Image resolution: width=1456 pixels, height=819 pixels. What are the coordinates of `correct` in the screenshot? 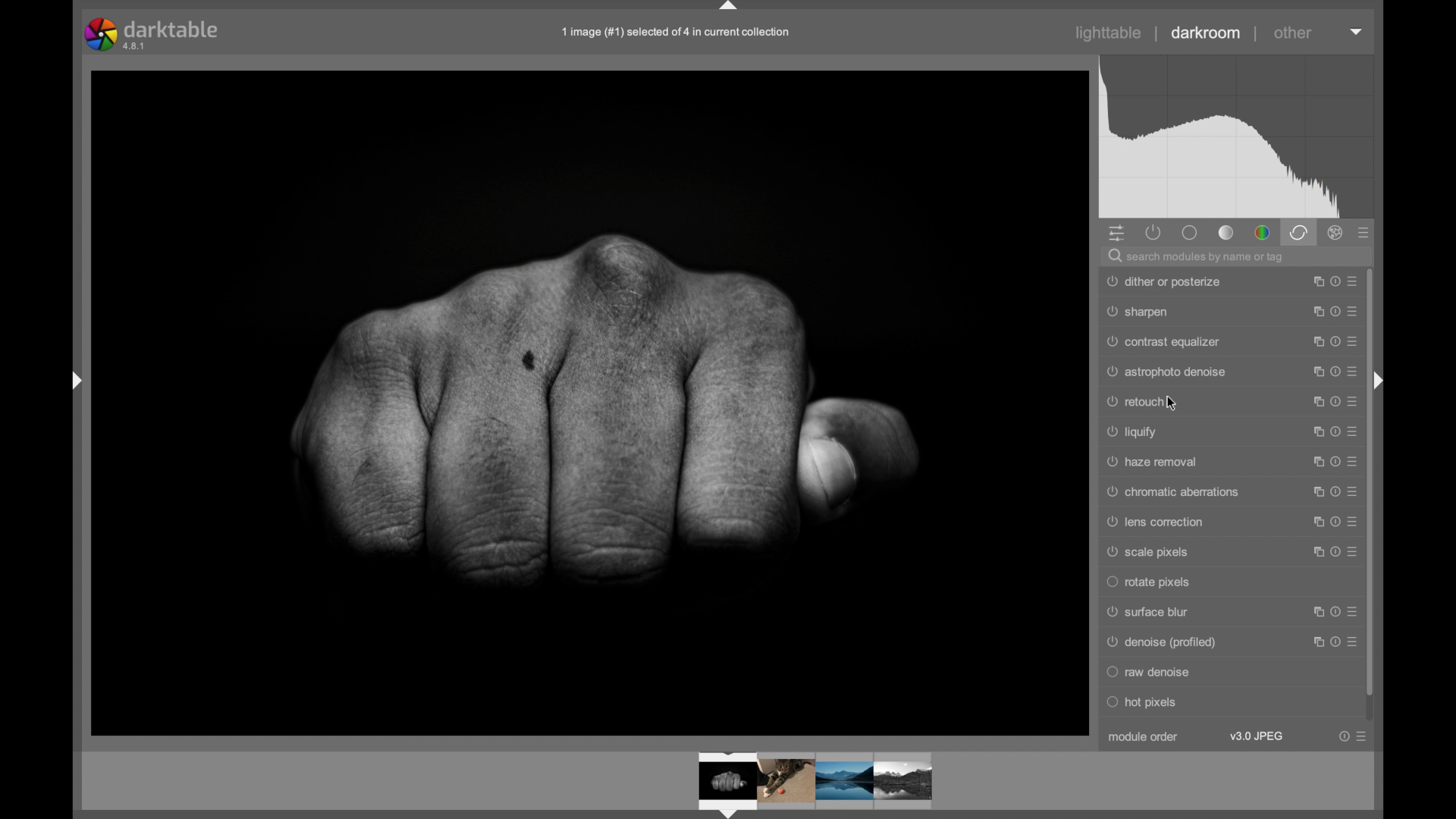 It's located at (1298, 232).